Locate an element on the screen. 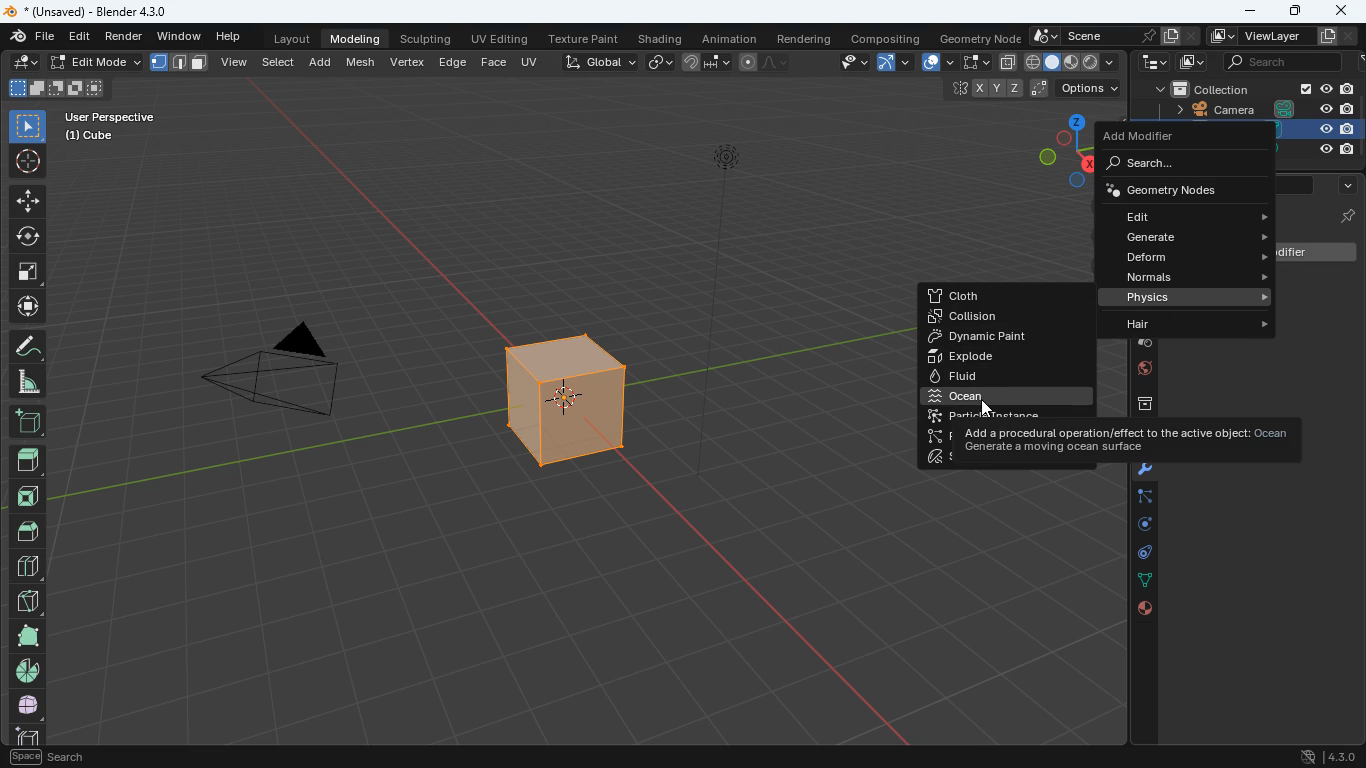 The image size is (1366, 768). viewlayer is located at coordinates (1277, 36).